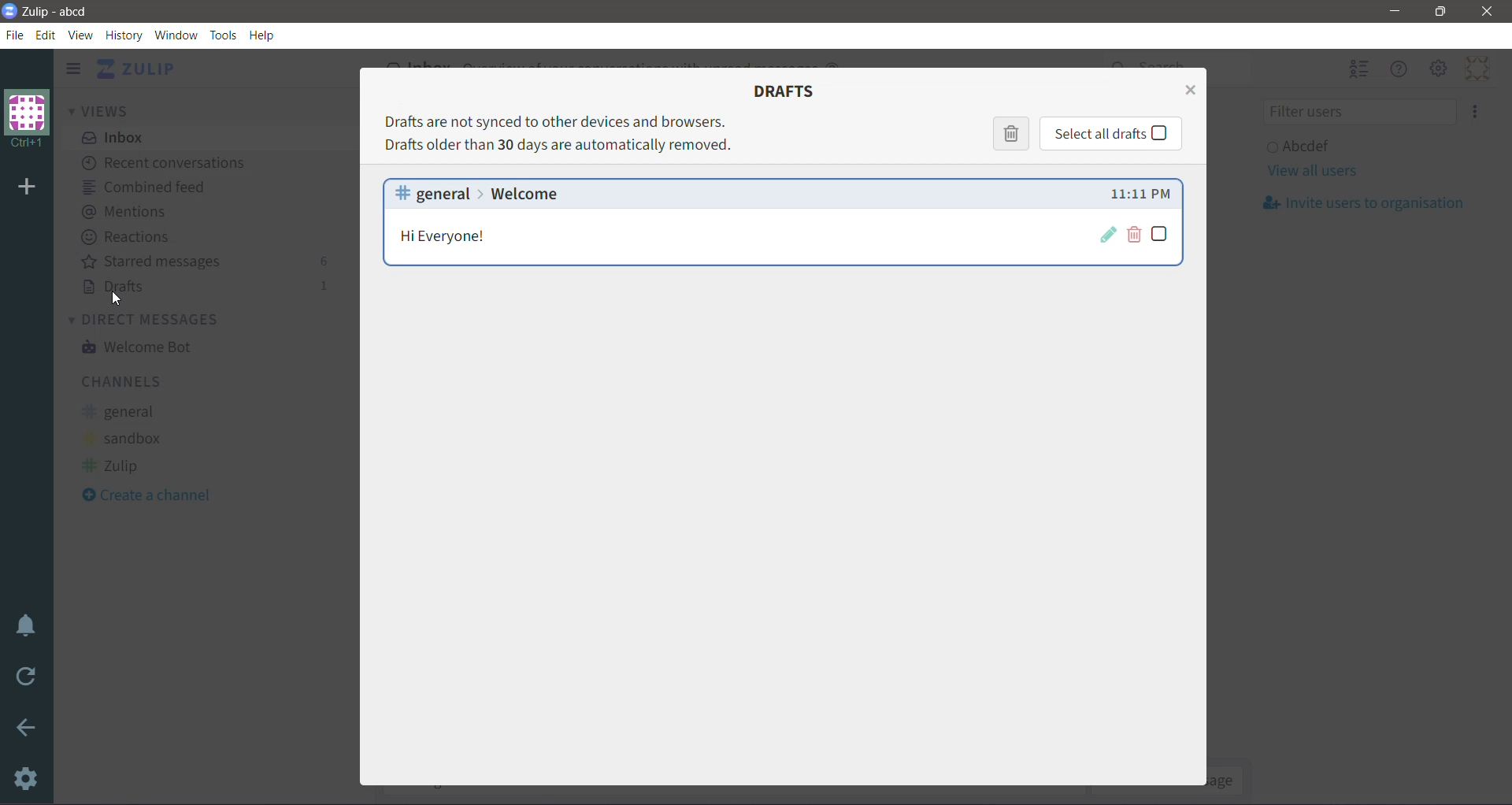  What do you see at coordinates (1475, 112) in the screenshot?
I see `Invite users to organization` at bounding box center [1475, 112].